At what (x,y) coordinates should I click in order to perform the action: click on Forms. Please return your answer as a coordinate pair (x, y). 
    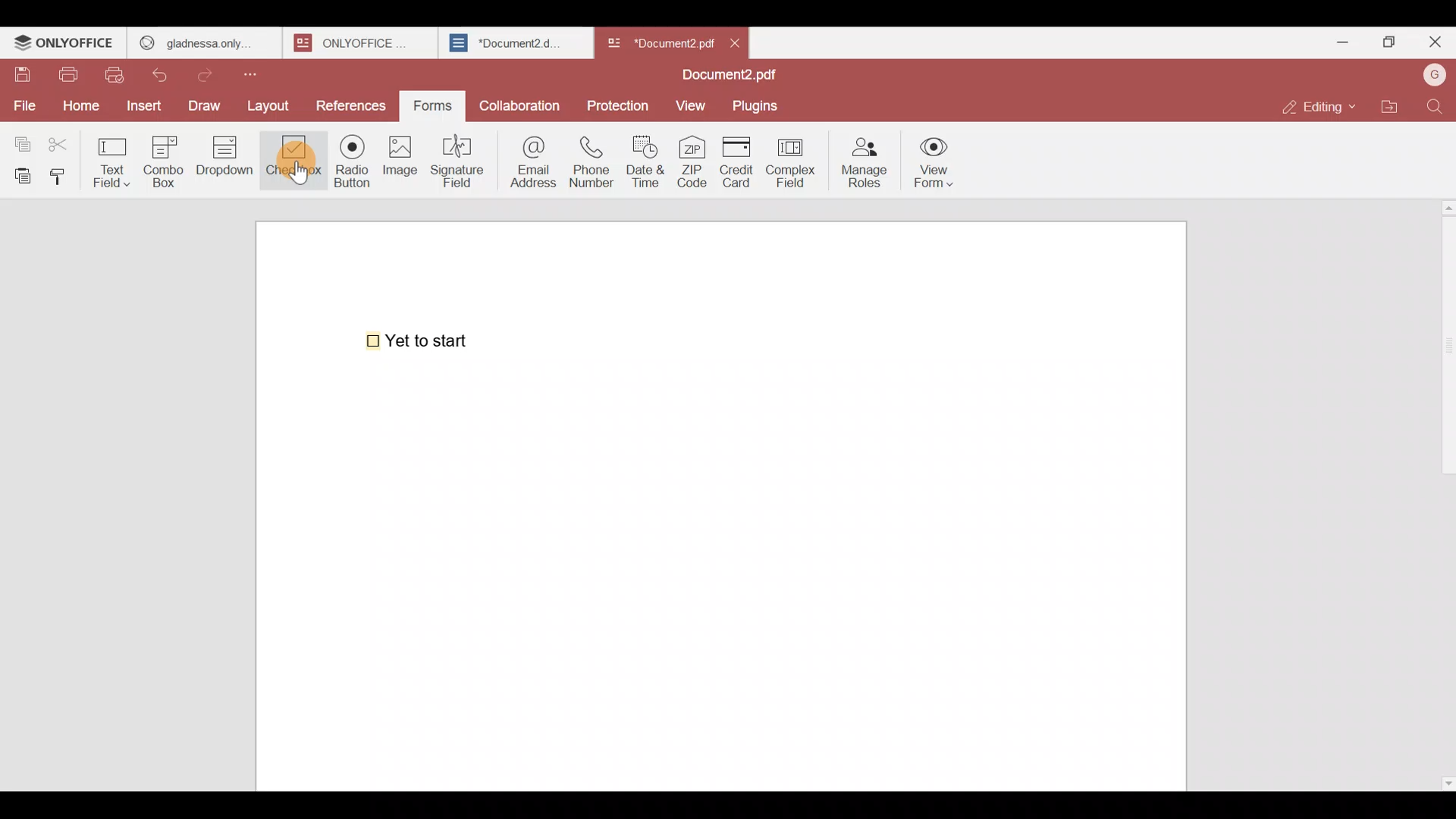
    Looking at the image, I should click on (434, 104).